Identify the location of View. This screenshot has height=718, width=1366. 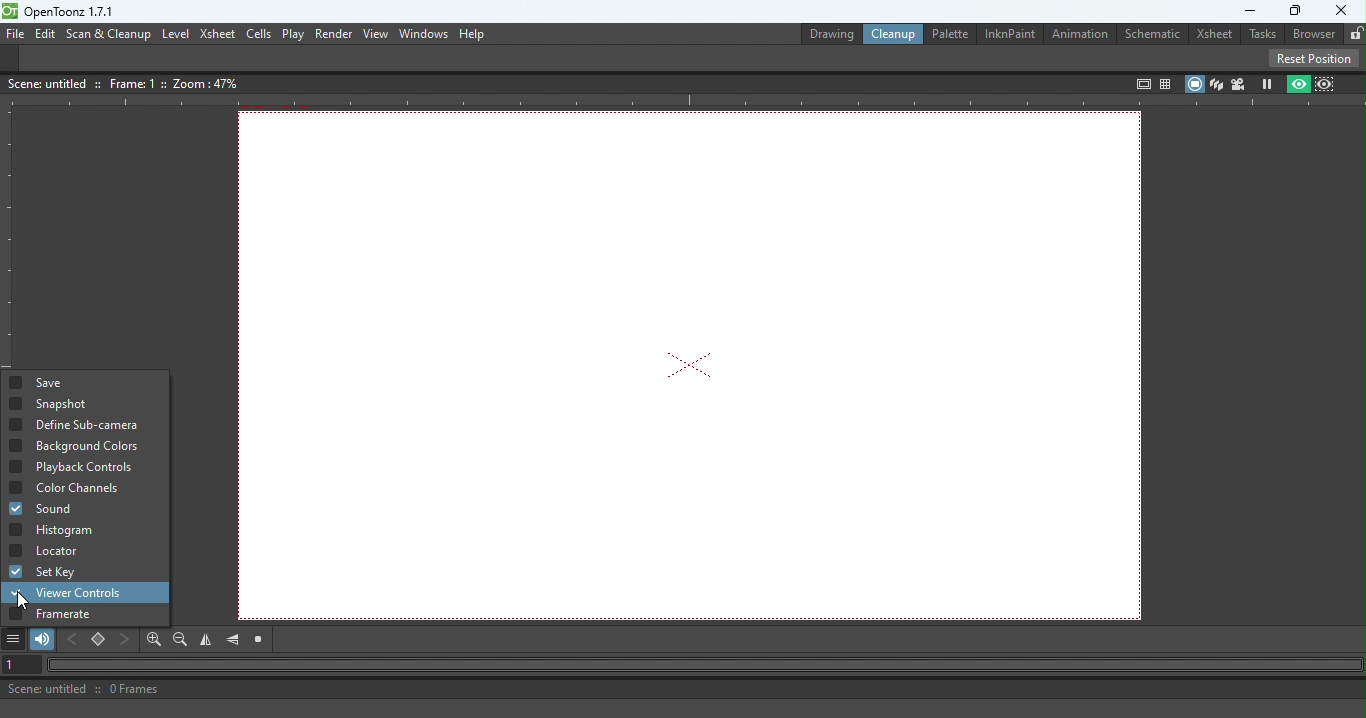
(375, 34).